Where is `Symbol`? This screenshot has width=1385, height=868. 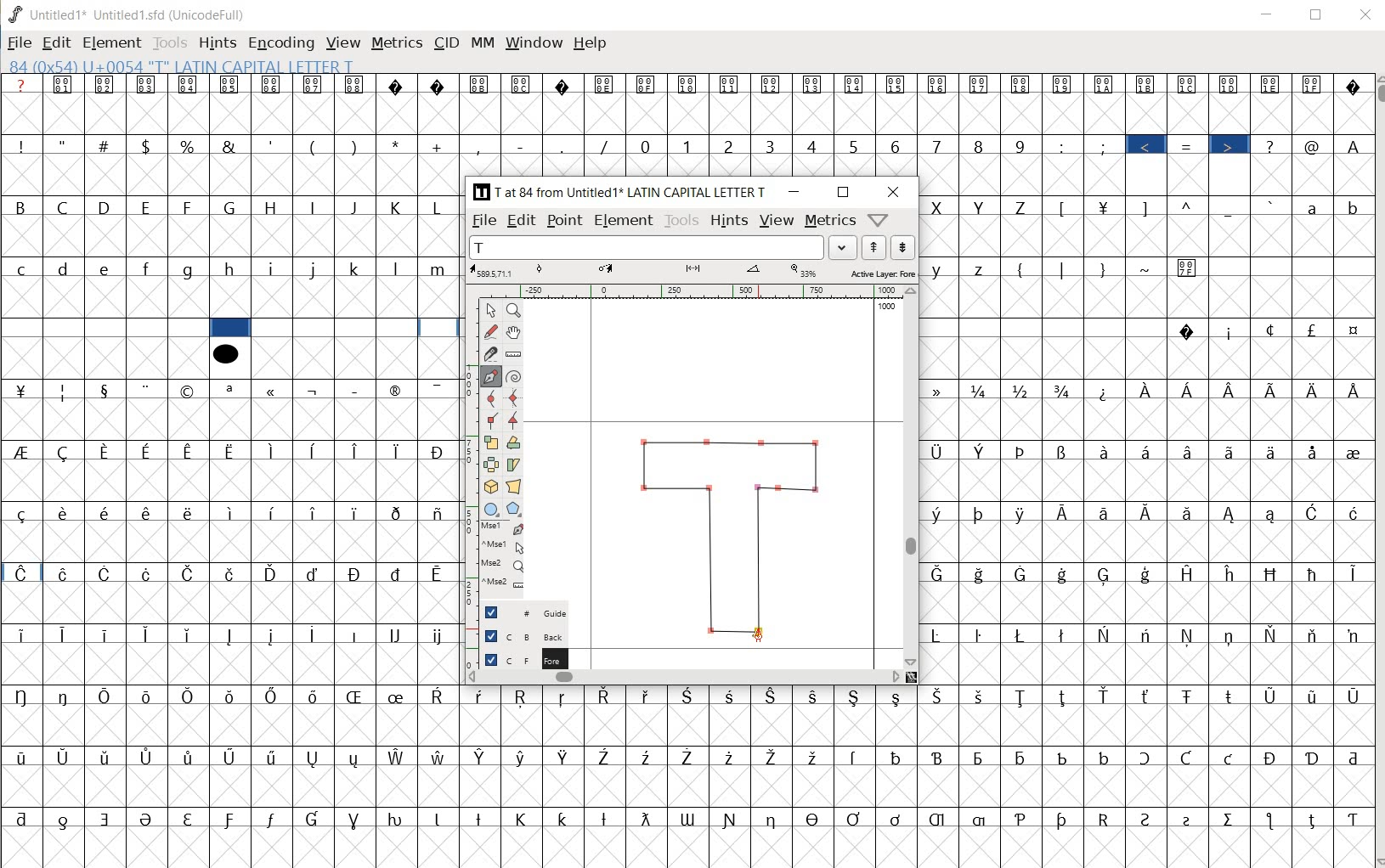 Symbol is located at coordinates (1232, 391).